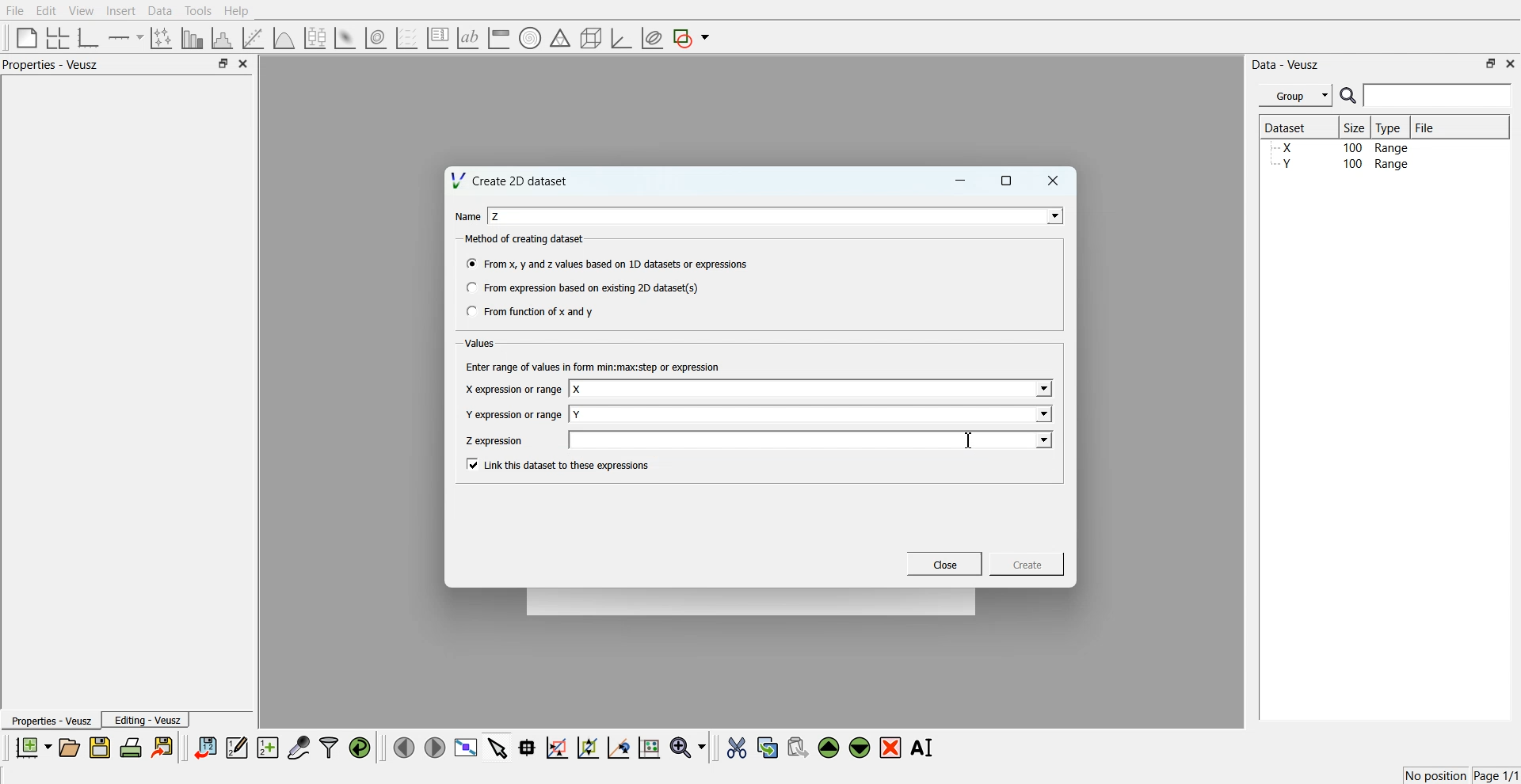  I want to click on Maximize, so click(1007, 181).